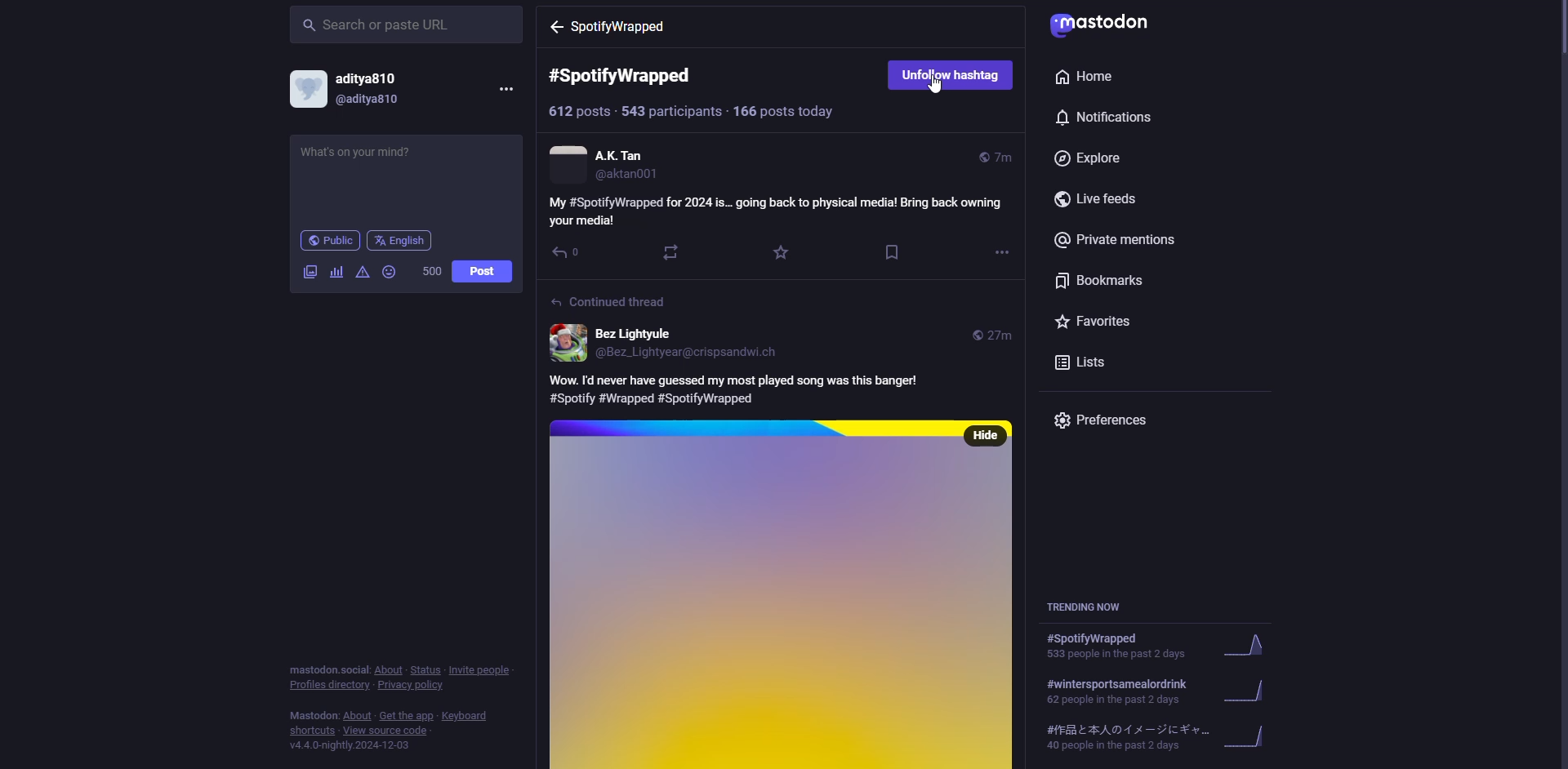  What do you see at coordinates (1152, 736) in the screenshot?
I see `trending ` at bounding box center [1152, 736].